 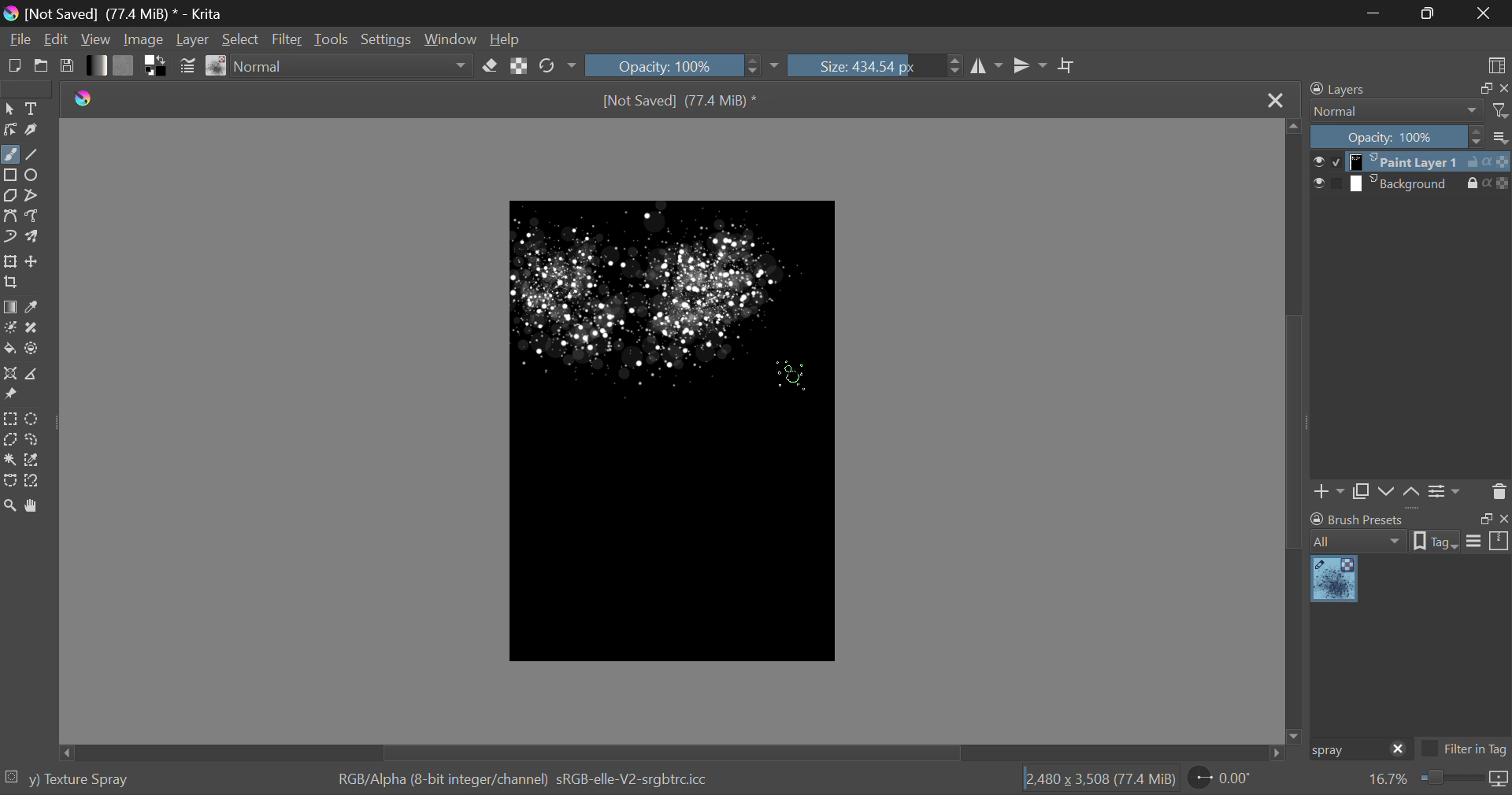 What do you see at coordinates (129, 15) in the screenshot?
I see `[Not Saved] (69.2 MiB) * - Krita` at bounding box center [129, 15].